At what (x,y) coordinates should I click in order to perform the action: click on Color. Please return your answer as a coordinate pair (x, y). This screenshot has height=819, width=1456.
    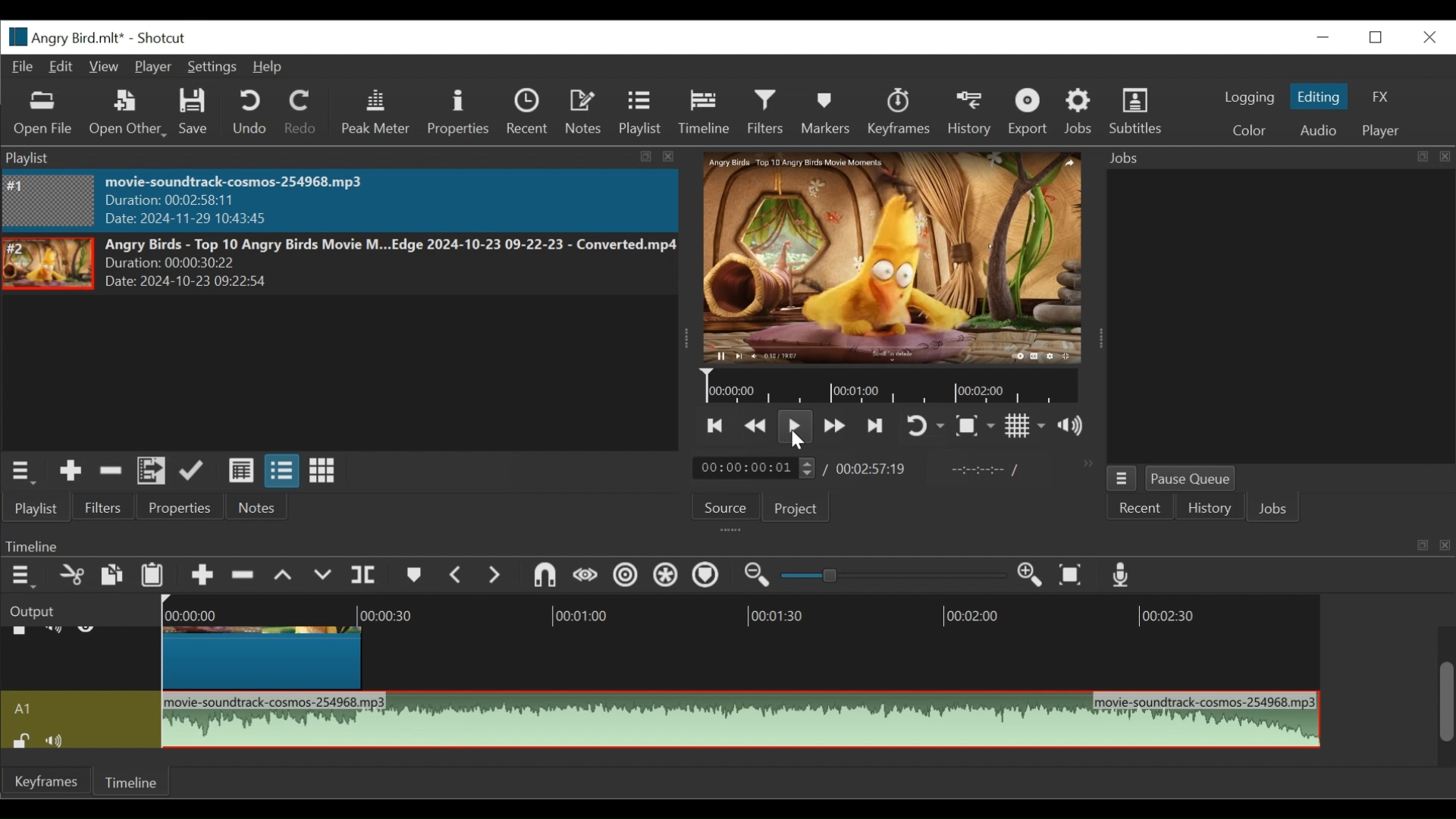
    Looking at the image, I should click on (1250, 131).